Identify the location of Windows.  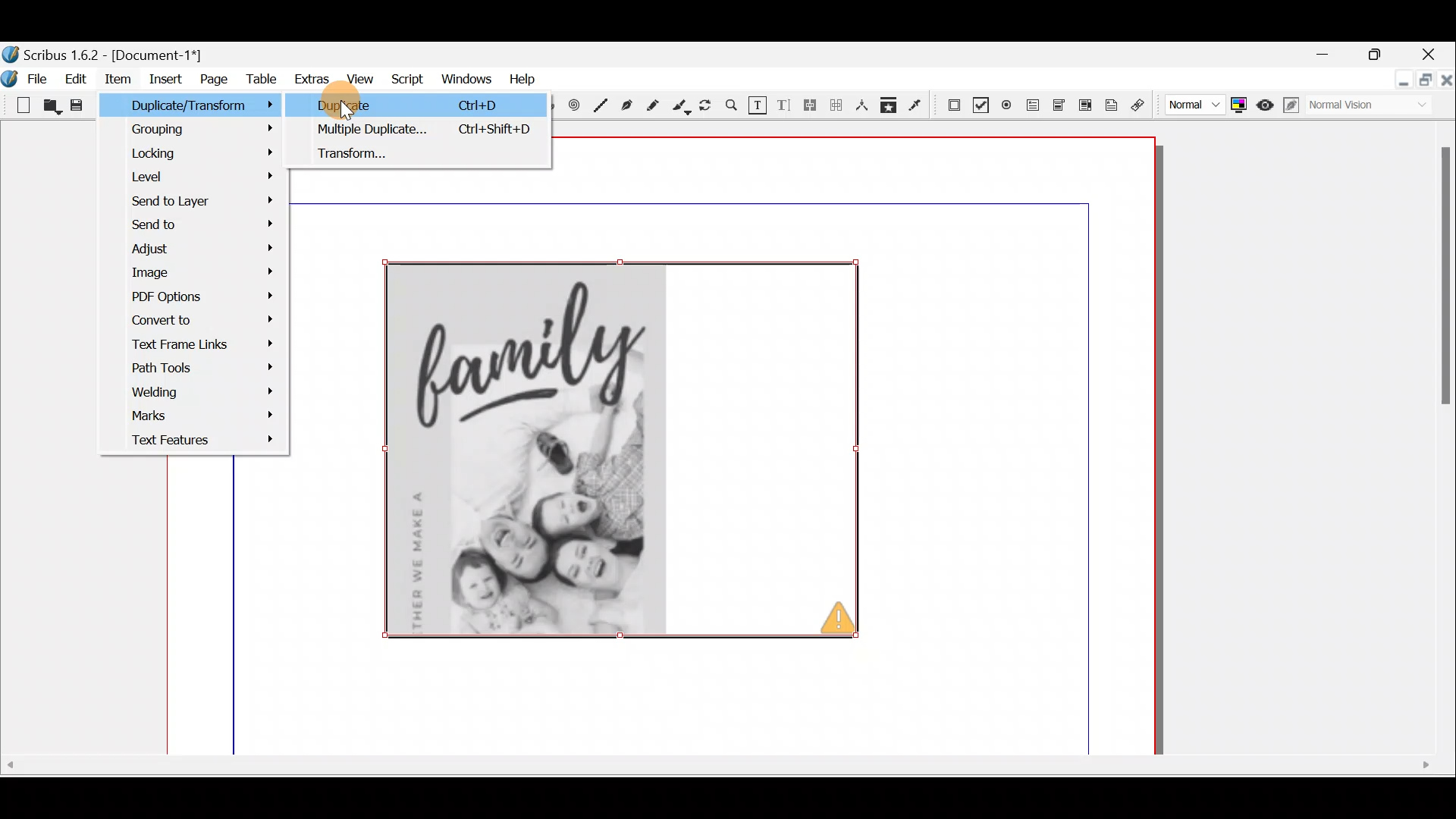
(463, 78).